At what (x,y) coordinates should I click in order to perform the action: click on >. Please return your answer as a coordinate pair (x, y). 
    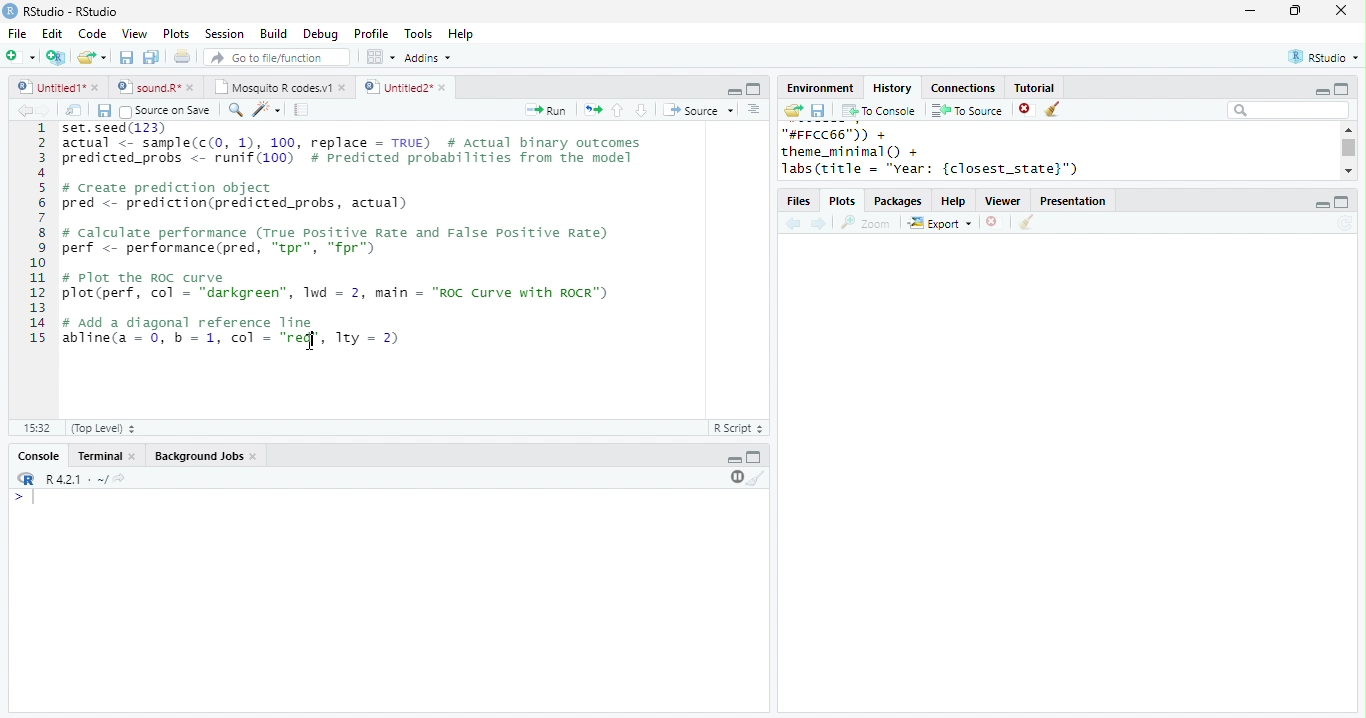
    Looking at the image, I should click on (27, 497).